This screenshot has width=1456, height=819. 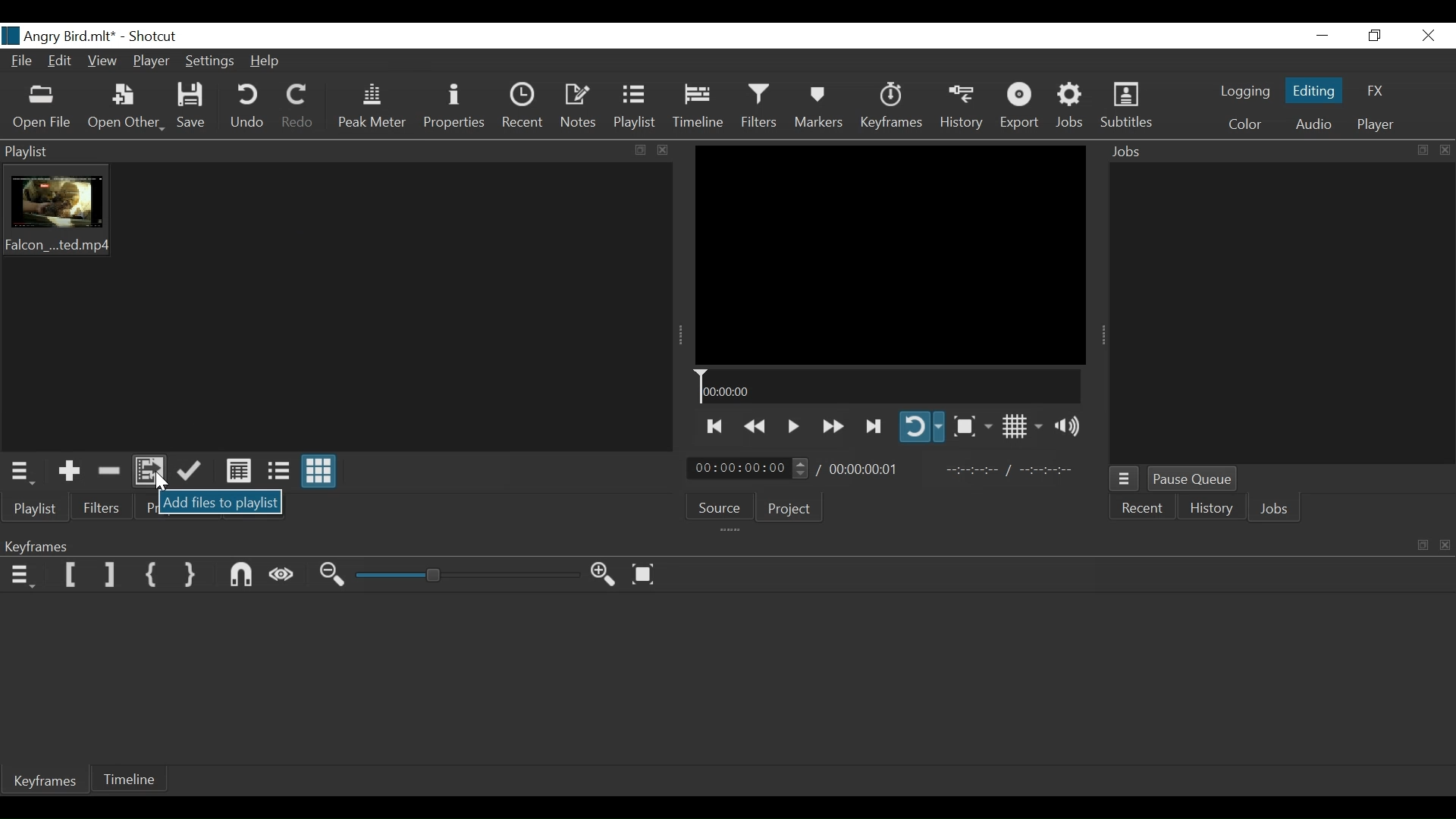 What do you see at coordinates (864, 469) in the screenshot?
I see `Total Duration` at bounding box center [864, 469].